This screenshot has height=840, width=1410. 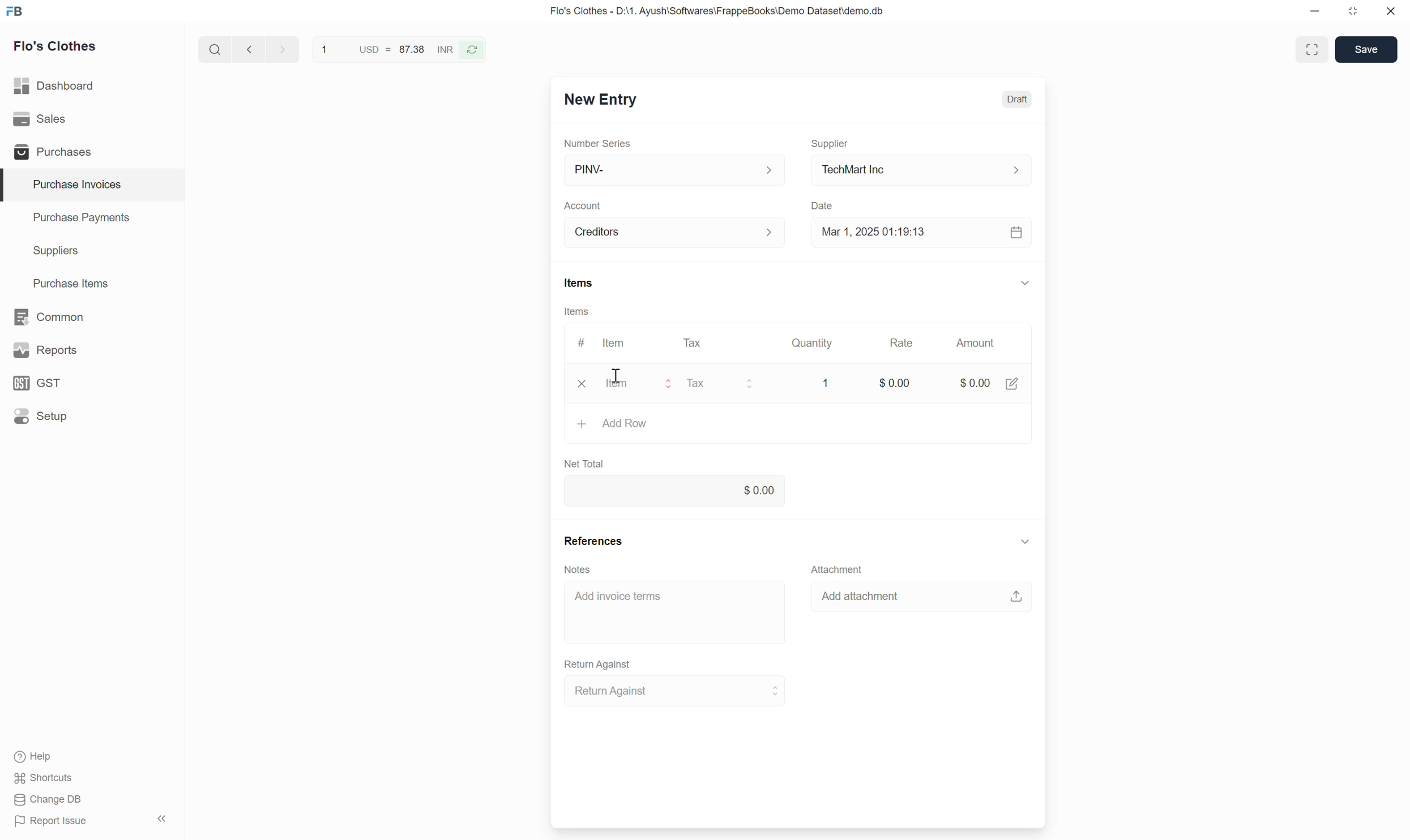 What do you see at coordinates (48, 251) in the screenshot?
I see `Suppliers` at bounding box center [48, 251].